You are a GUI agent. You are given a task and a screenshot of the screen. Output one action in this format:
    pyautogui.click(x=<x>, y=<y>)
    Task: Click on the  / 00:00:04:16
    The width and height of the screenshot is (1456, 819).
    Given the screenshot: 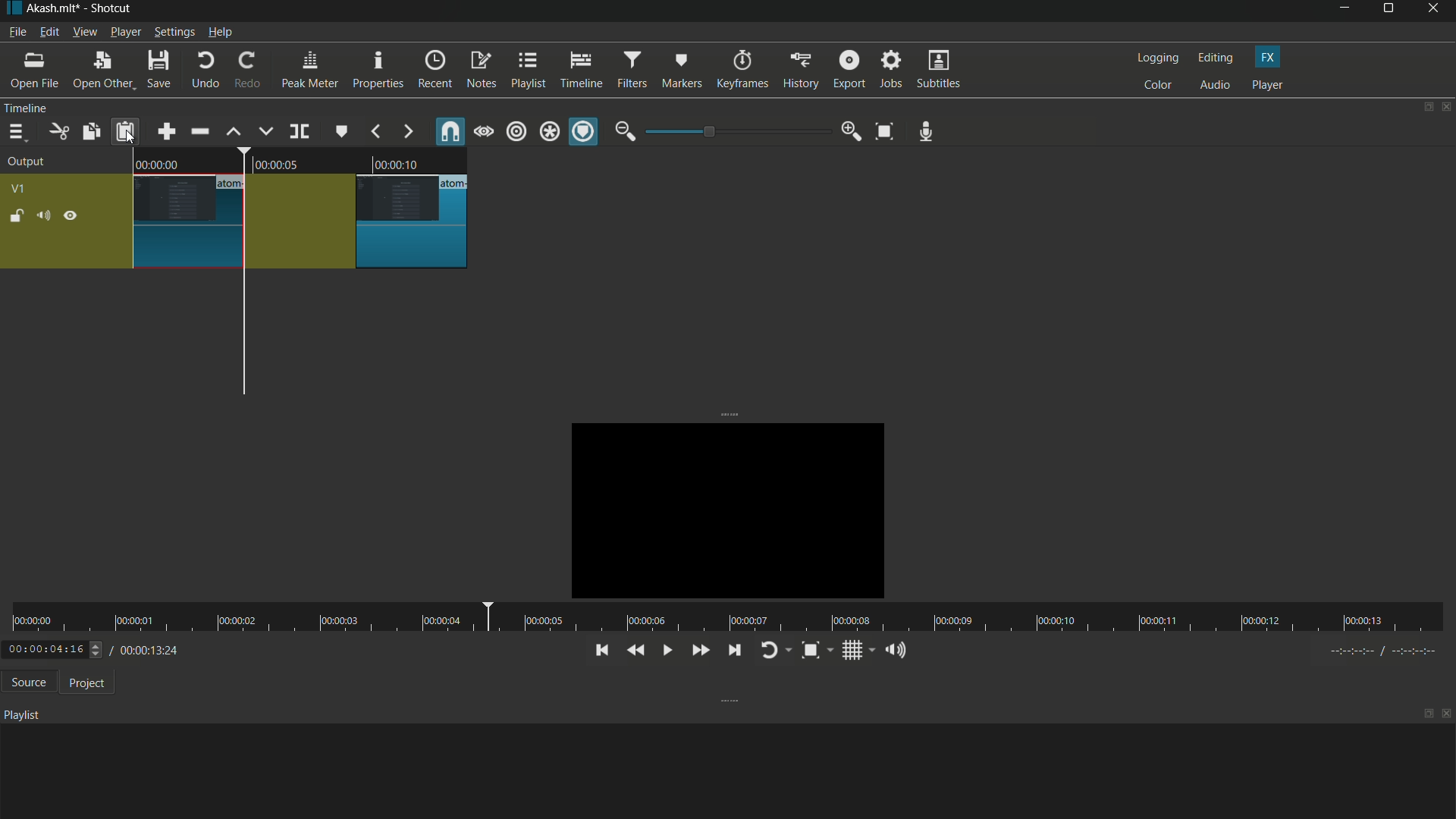 What is the action you would take?
    pyautogui.click(x=152, y=649)
    